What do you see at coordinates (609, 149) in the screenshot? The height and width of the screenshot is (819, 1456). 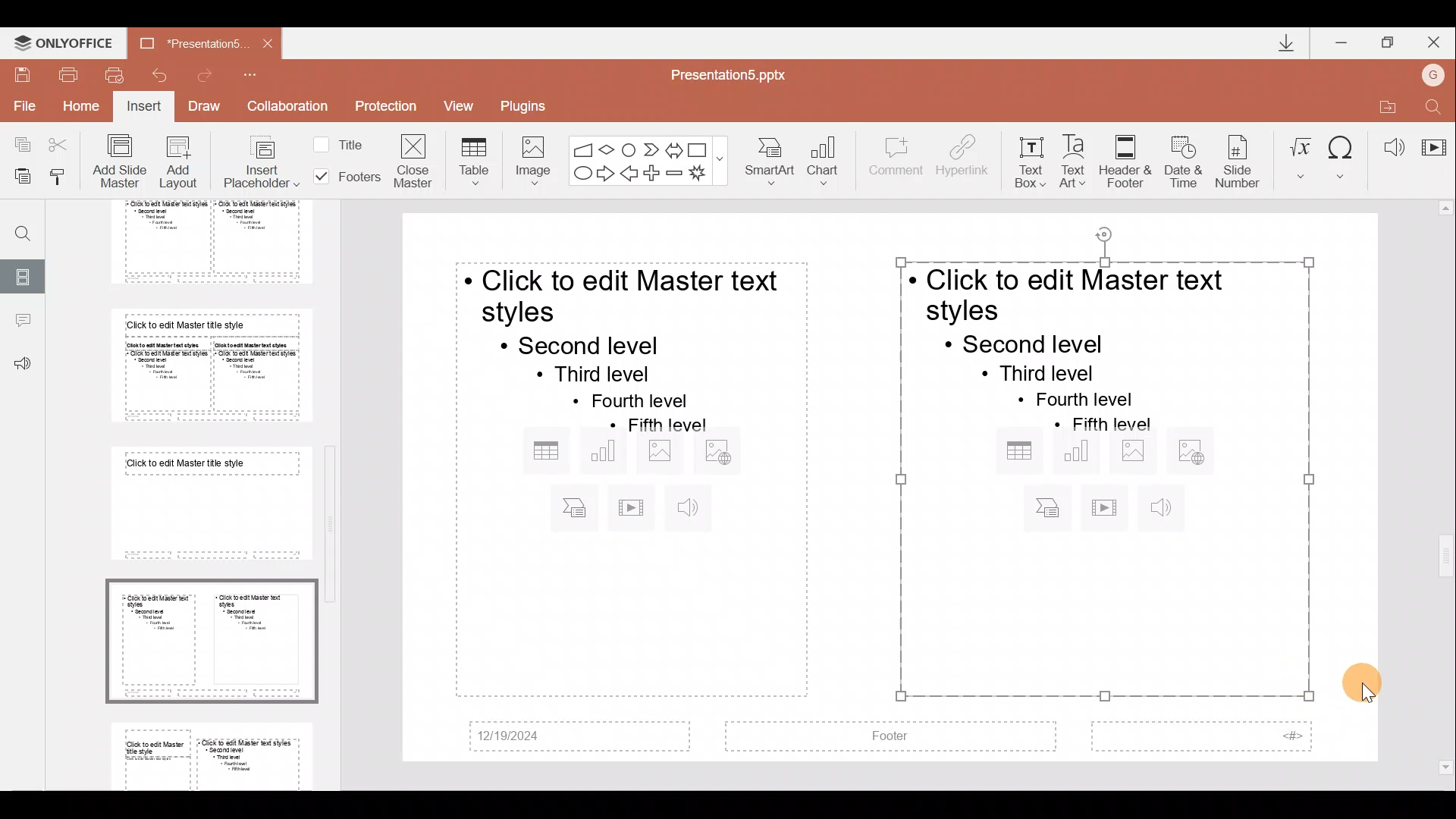 I see `Flow chart-decision` at bounding box center [609, 149].